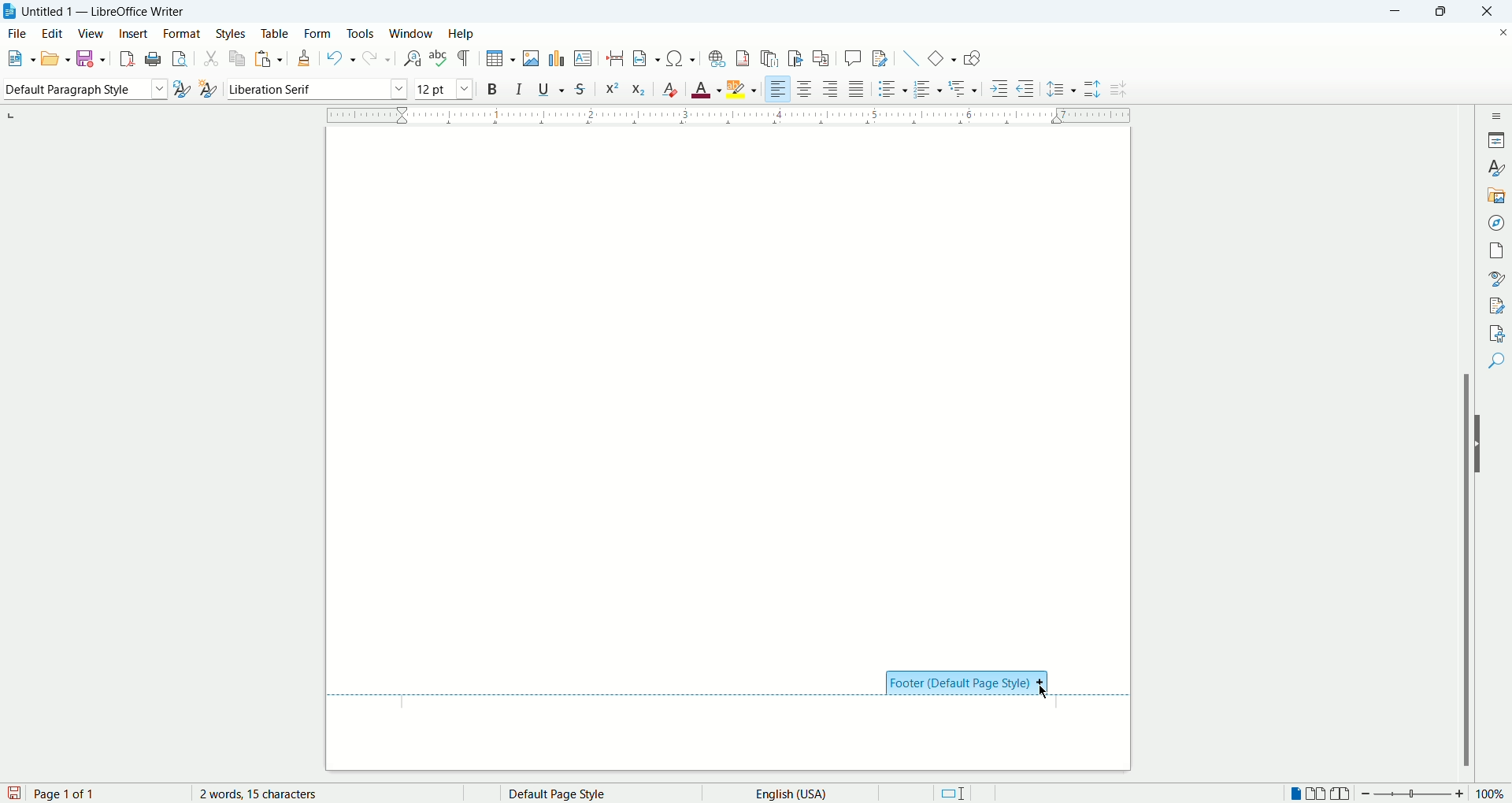 This screenshot has width=1512, height=803. I want to click on align right, so click(832, 91).